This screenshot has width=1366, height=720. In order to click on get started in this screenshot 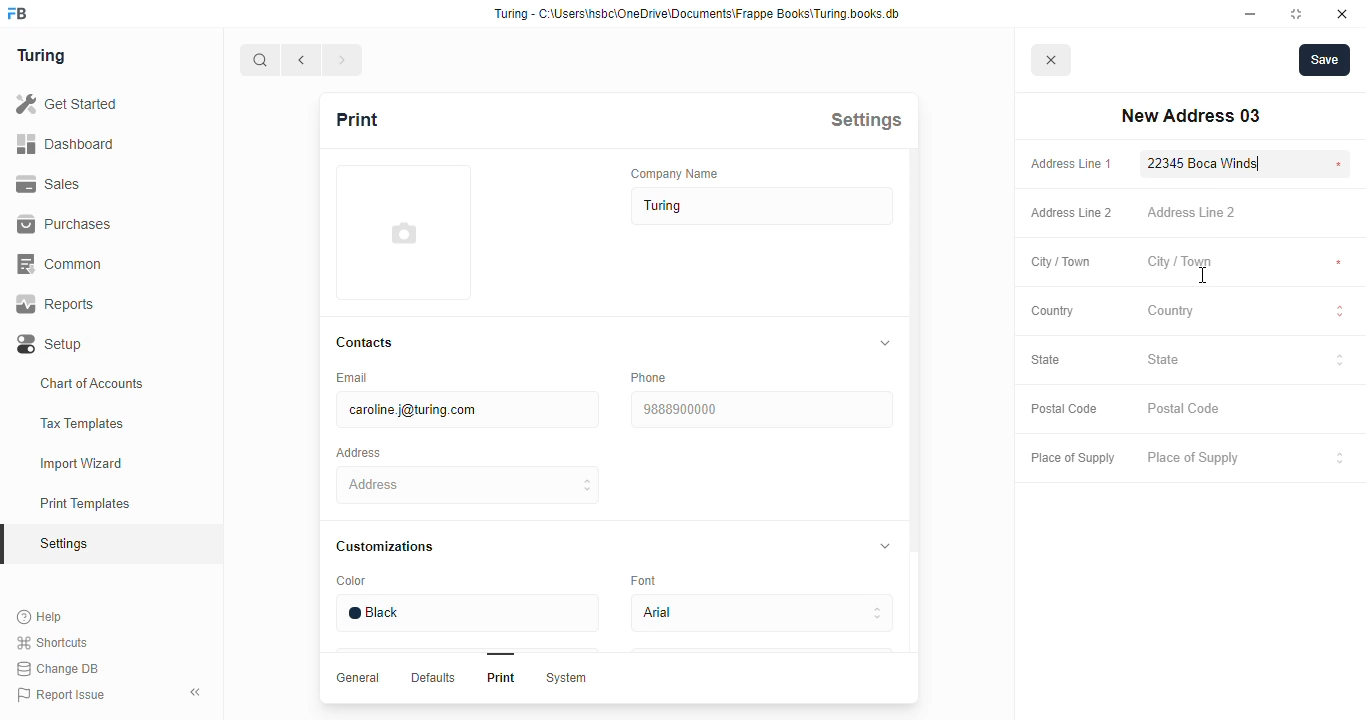, I will do `click(66, 104)`.